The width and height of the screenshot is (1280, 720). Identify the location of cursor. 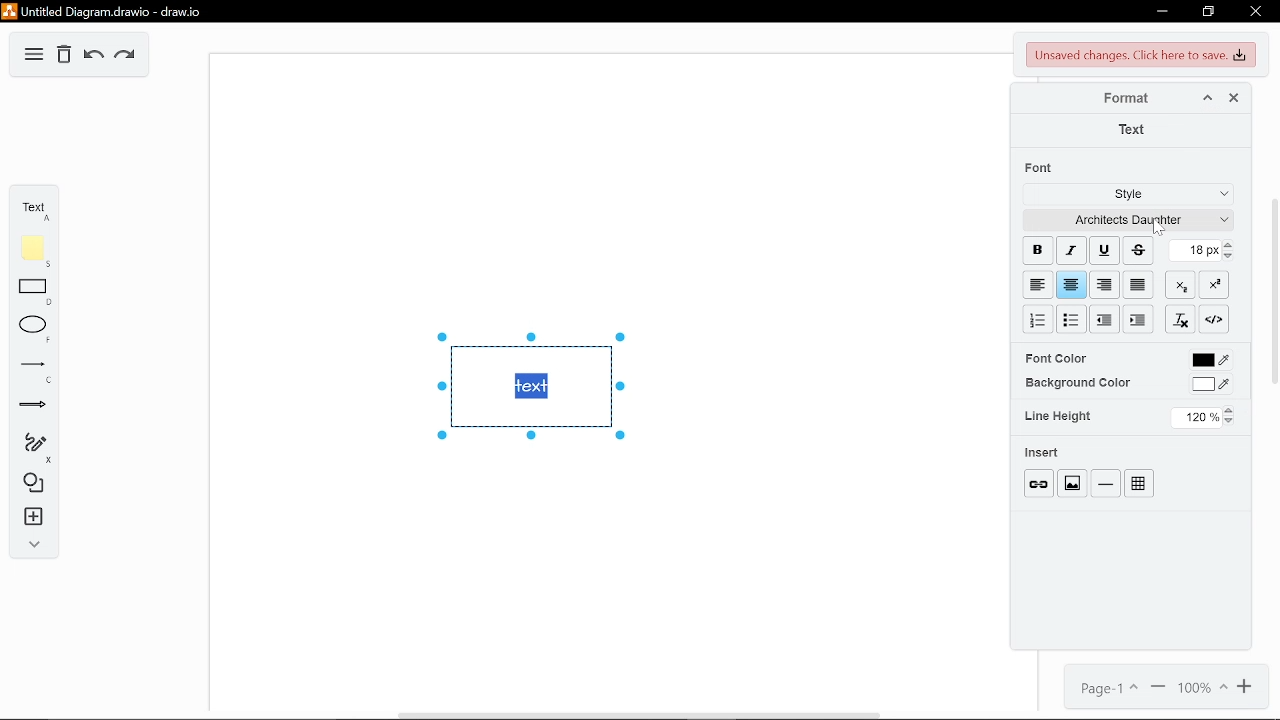
(1159, 228).